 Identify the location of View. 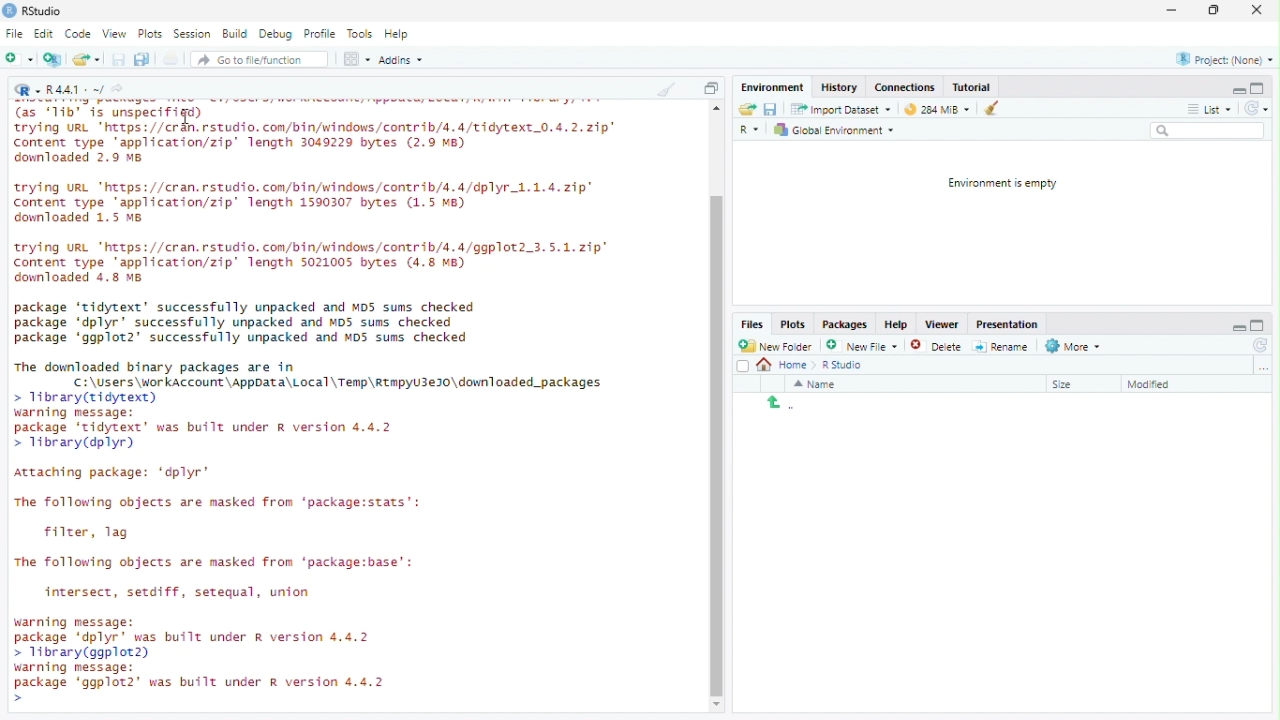
(114, 34).